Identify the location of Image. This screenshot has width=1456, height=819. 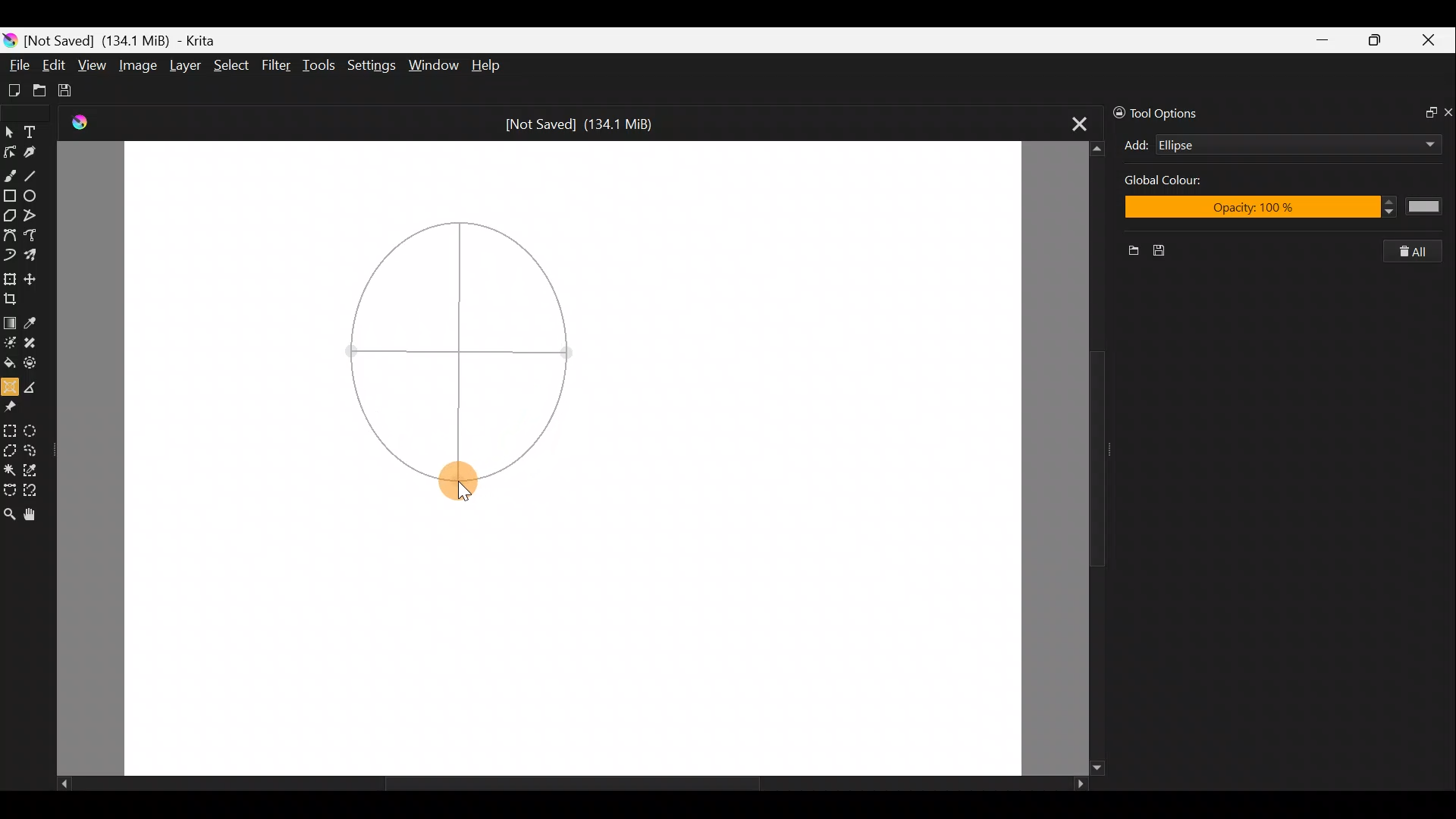
(140, 64).